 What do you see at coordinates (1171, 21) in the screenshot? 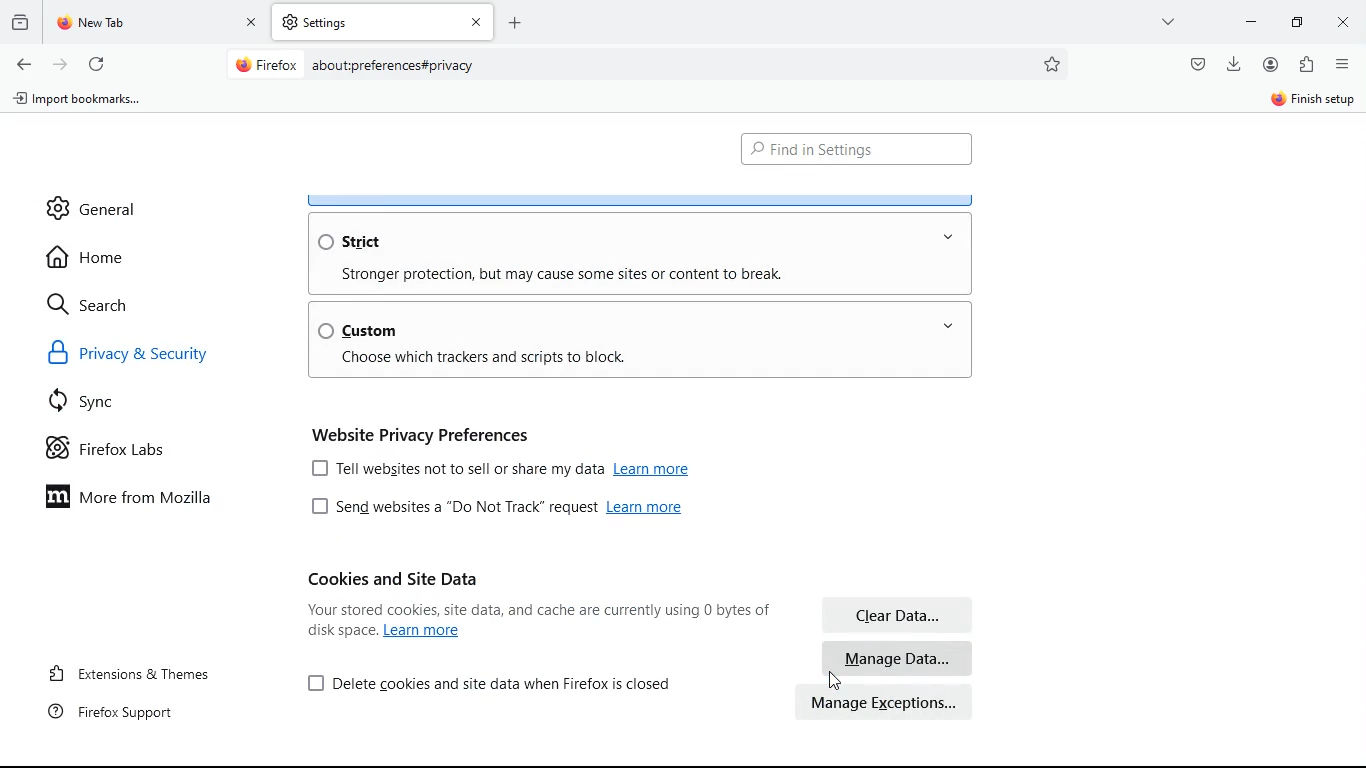
I see `more` at bounding box center [1171, 21].